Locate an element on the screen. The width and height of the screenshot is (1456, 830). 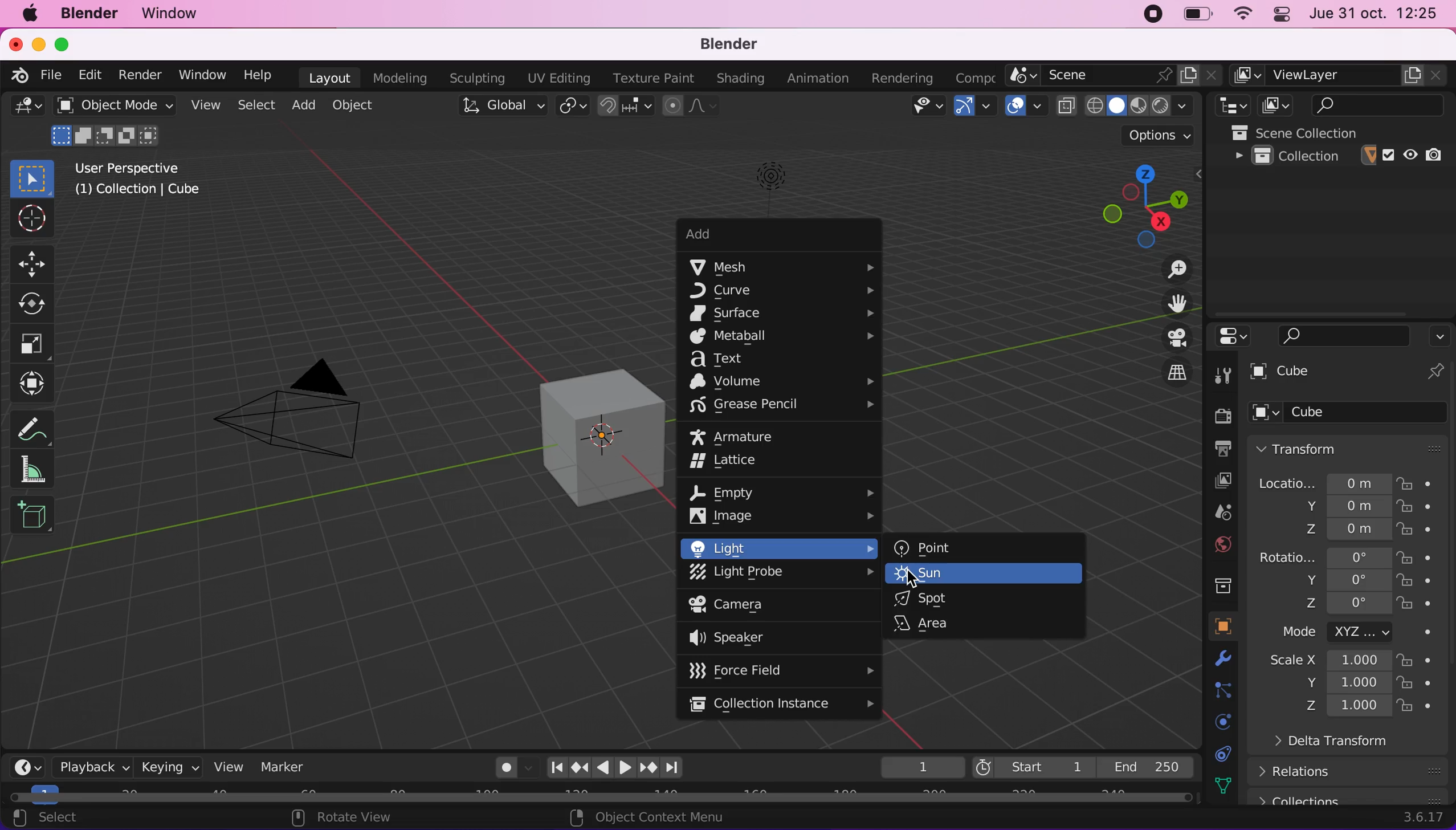
view object types is located at coordinates (917, 107).